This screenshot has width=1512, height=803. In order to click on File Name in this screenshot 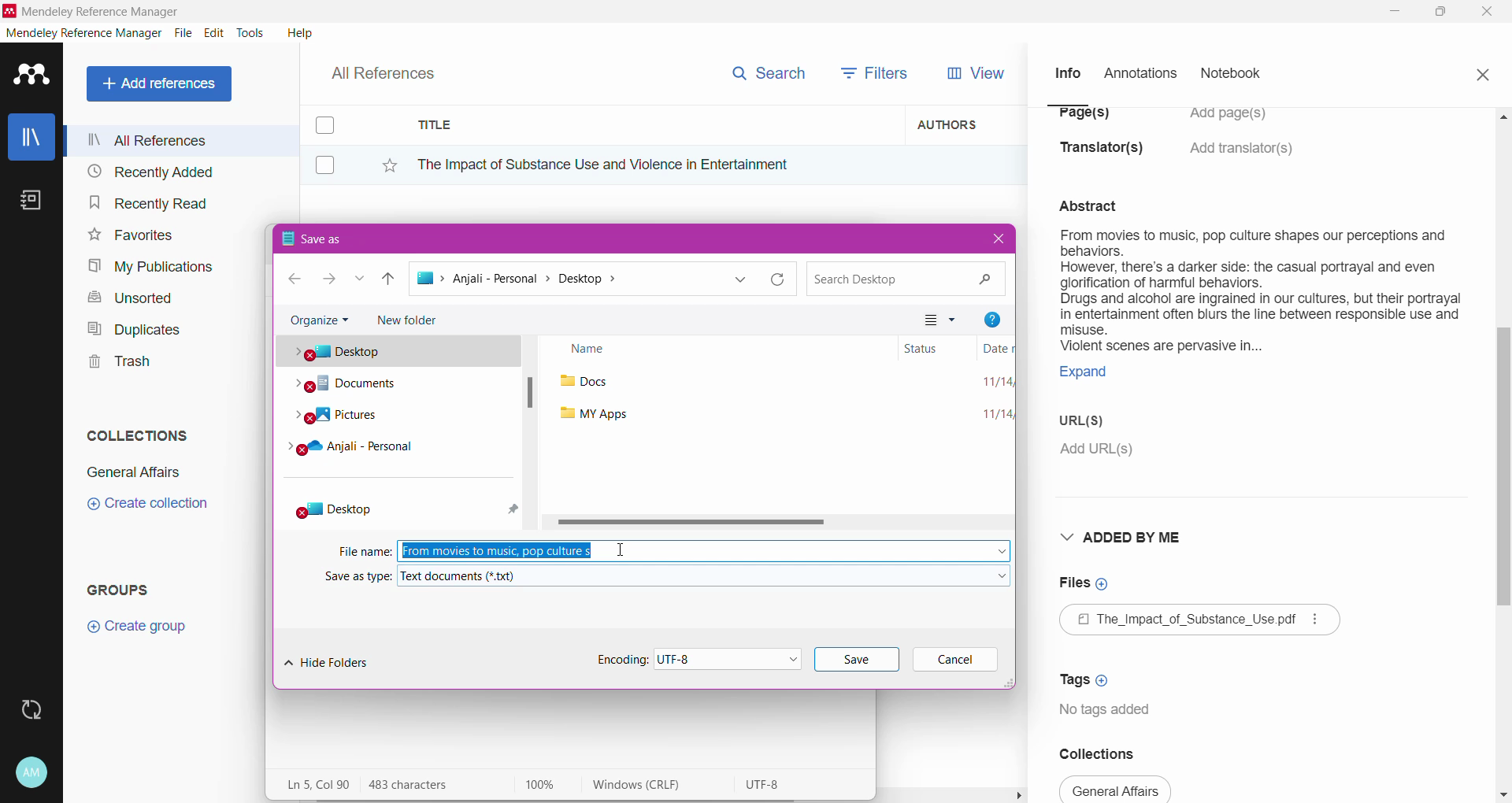, I will do `click(365, 550)`.